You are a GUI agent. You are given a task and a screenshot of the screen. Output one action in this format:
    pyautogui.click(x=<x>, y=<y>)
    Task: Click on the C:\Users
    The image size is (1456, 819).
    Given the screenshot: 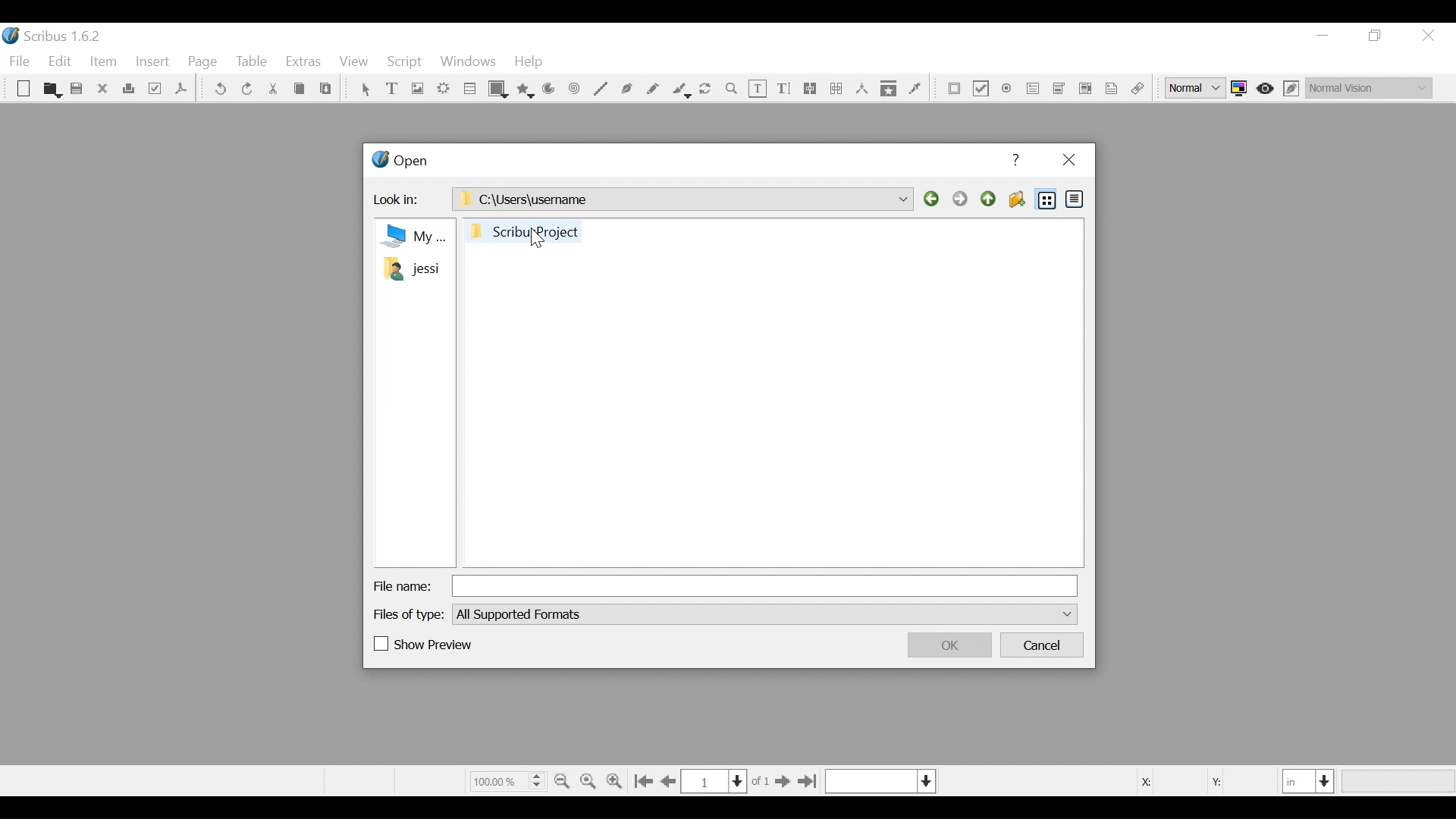 What is the action you would take?
    pyautogui.click(x=681, y=199)
    